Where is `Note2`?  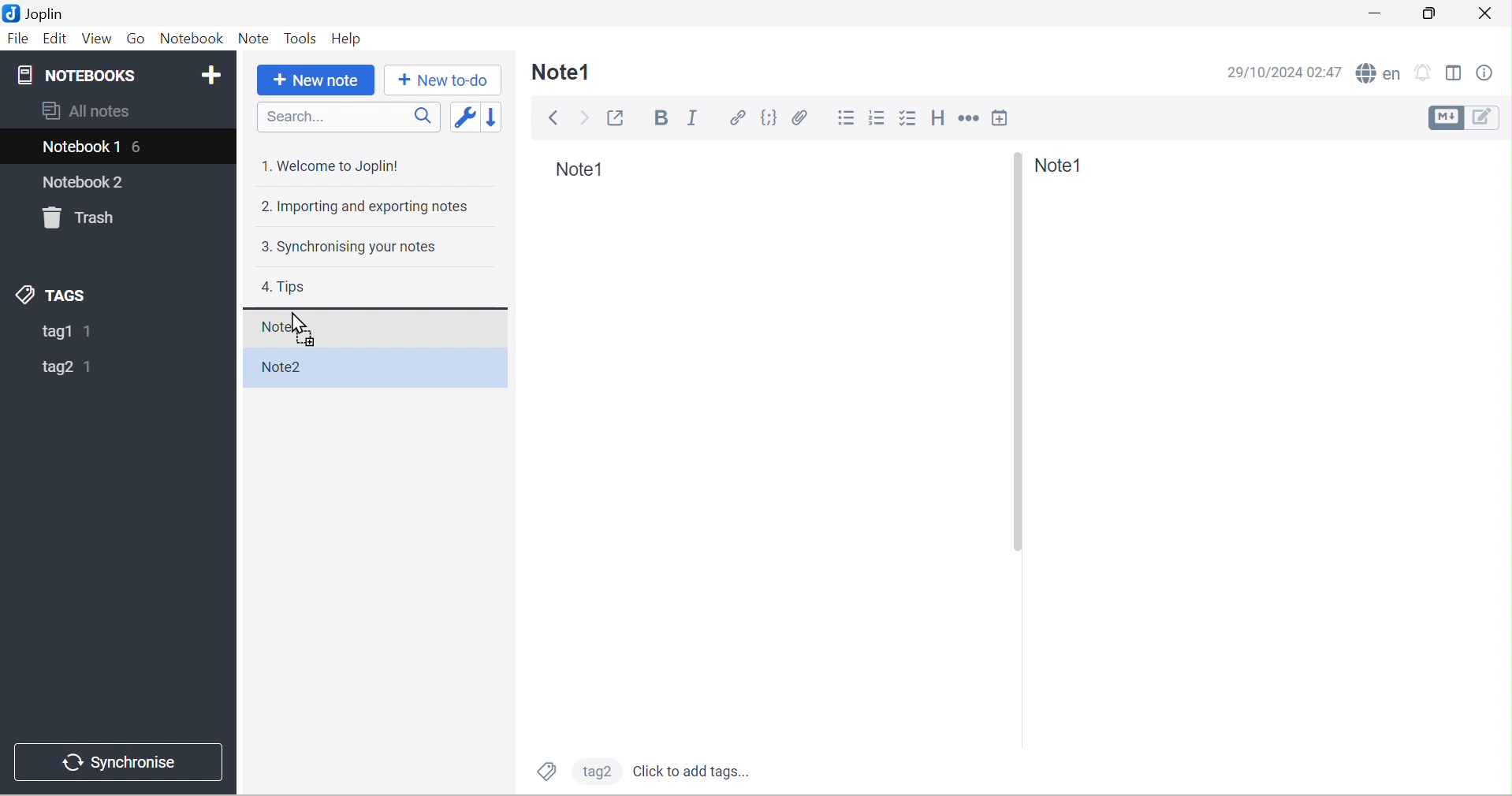 Note2 is located at coordinates (282, 367).